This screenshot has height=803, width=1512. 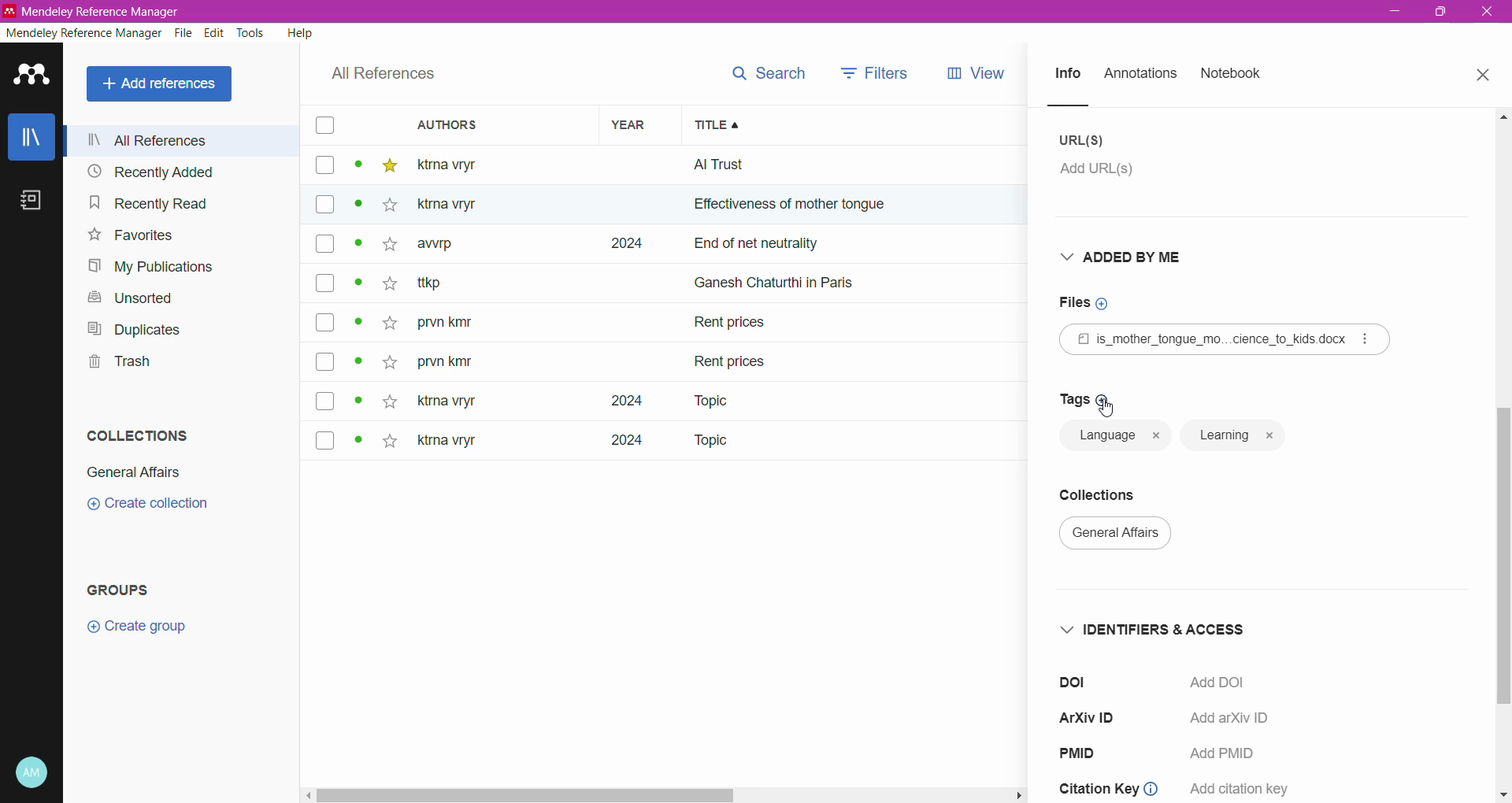 I want to click on Help, so click(x=301, y=32).